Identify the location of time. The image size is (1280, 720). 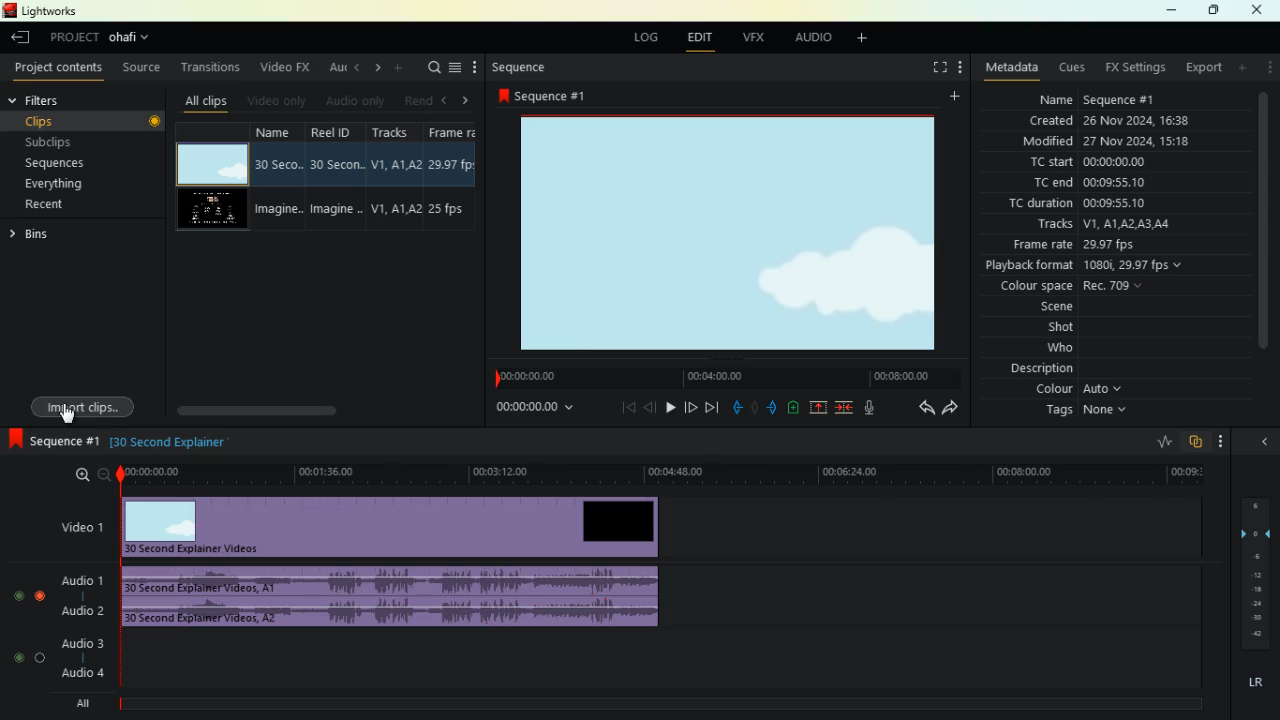
(722, 376).